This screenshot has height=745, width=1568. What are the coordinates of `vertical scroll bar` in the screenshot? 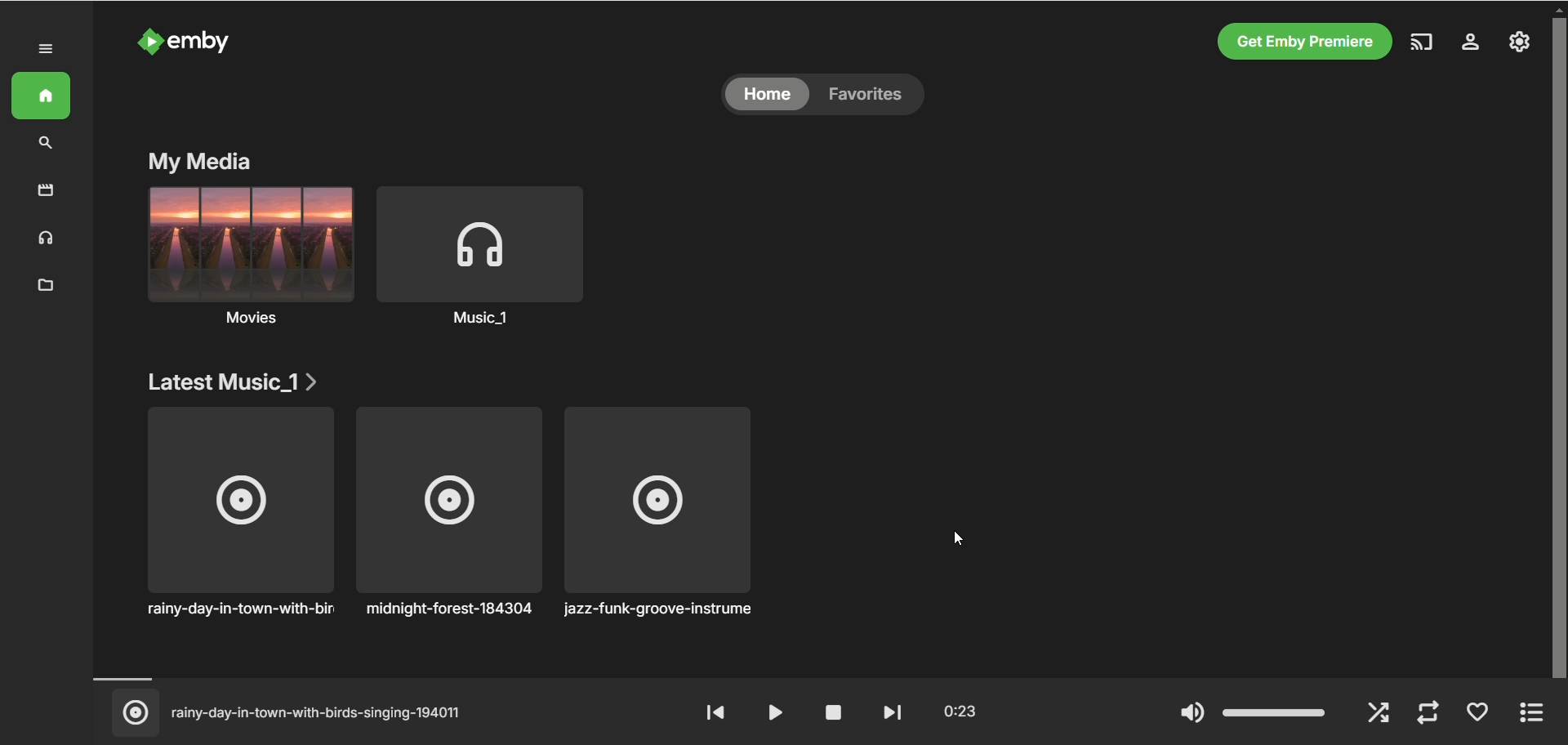 It's located at (1558, 343).